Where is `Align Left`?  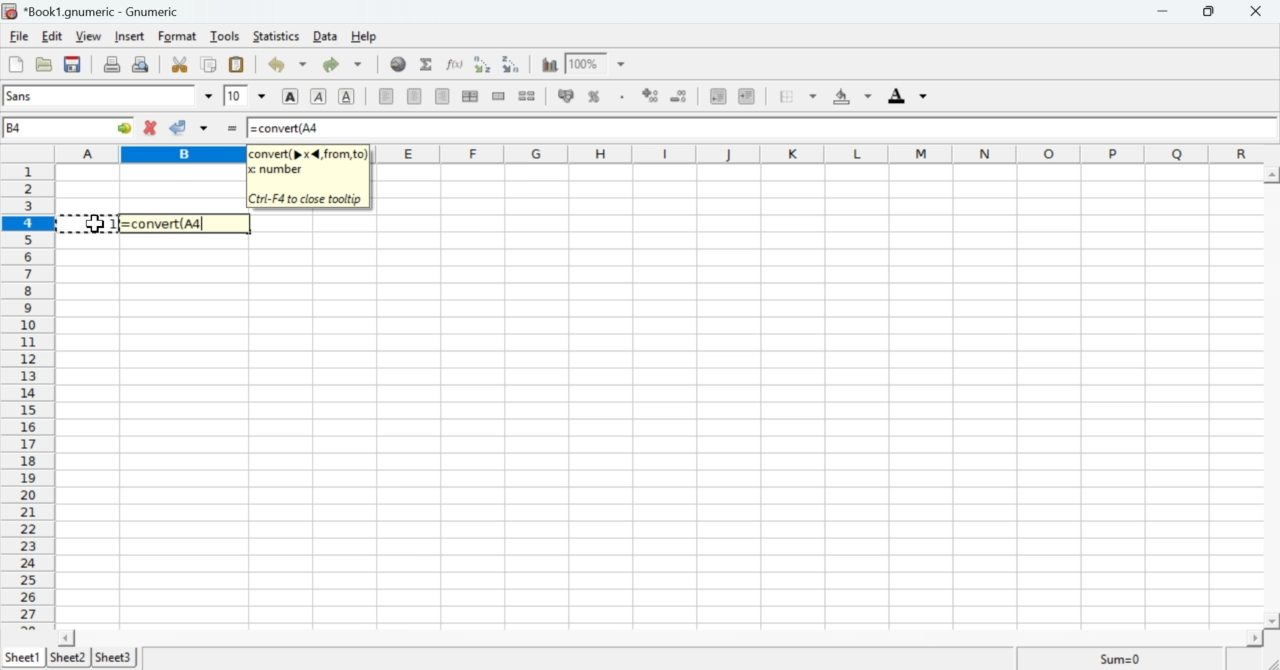
Align Left is located at coordinates (386, 97).